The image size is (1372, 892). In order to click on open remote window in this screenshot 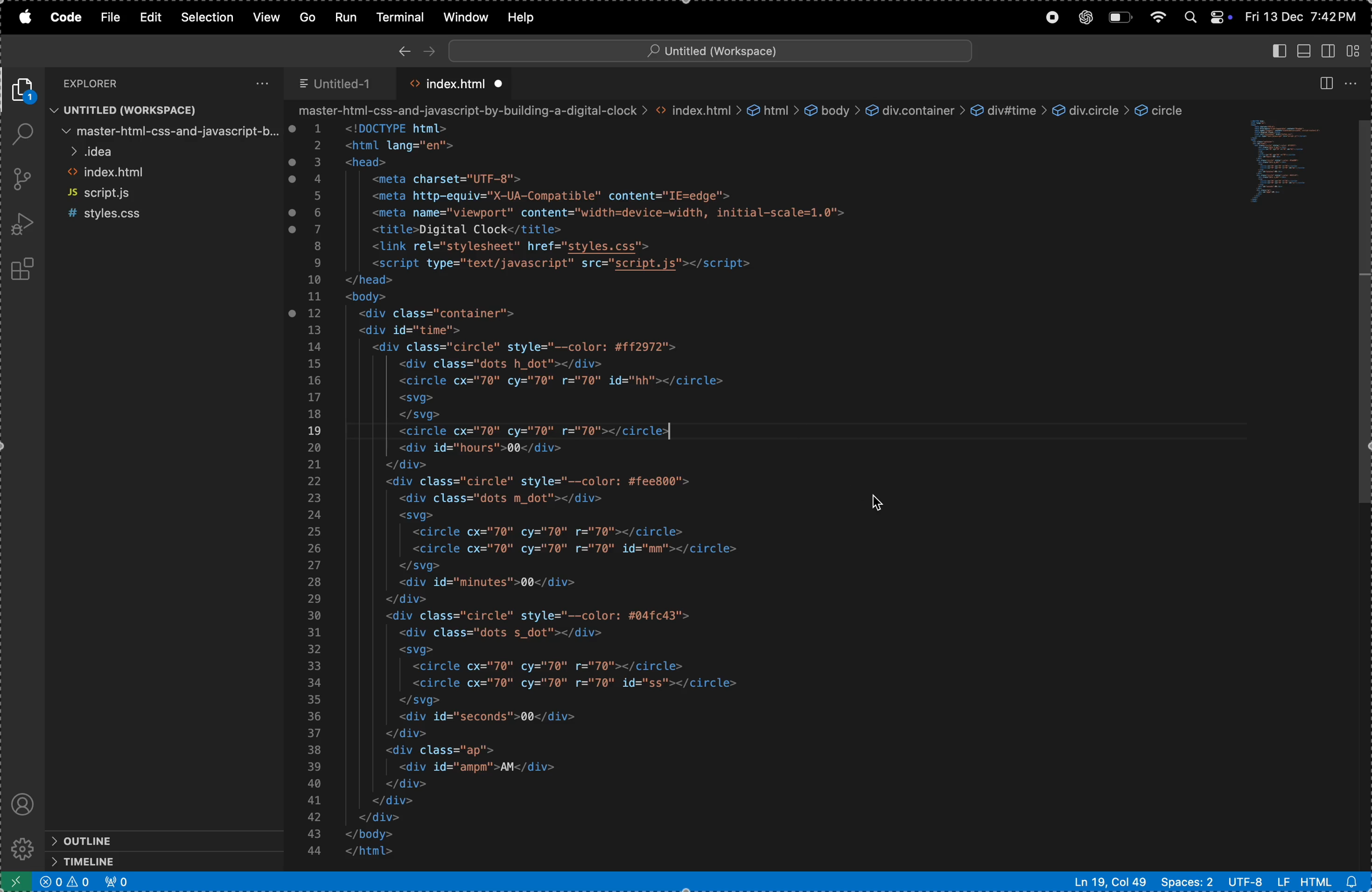, I will do `click(14, 881)`.